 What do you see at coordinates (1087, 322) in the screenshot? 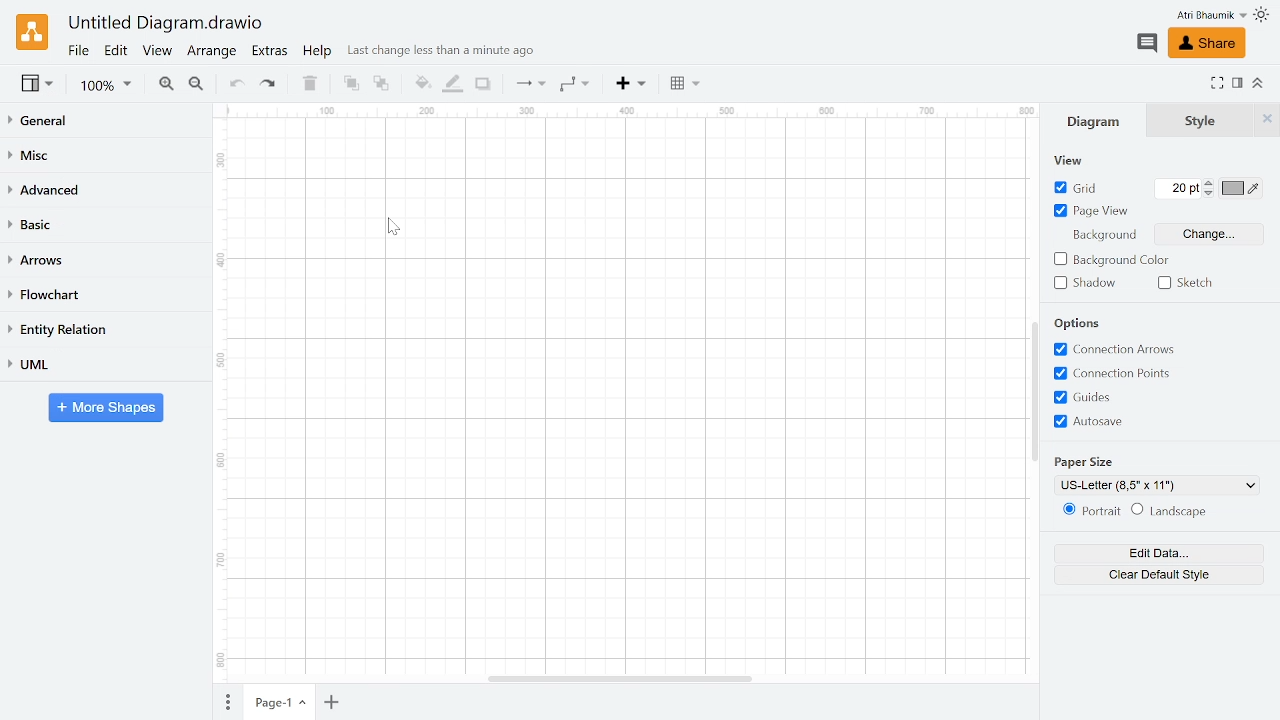
I see `options` at bounding box center [1087, 322].